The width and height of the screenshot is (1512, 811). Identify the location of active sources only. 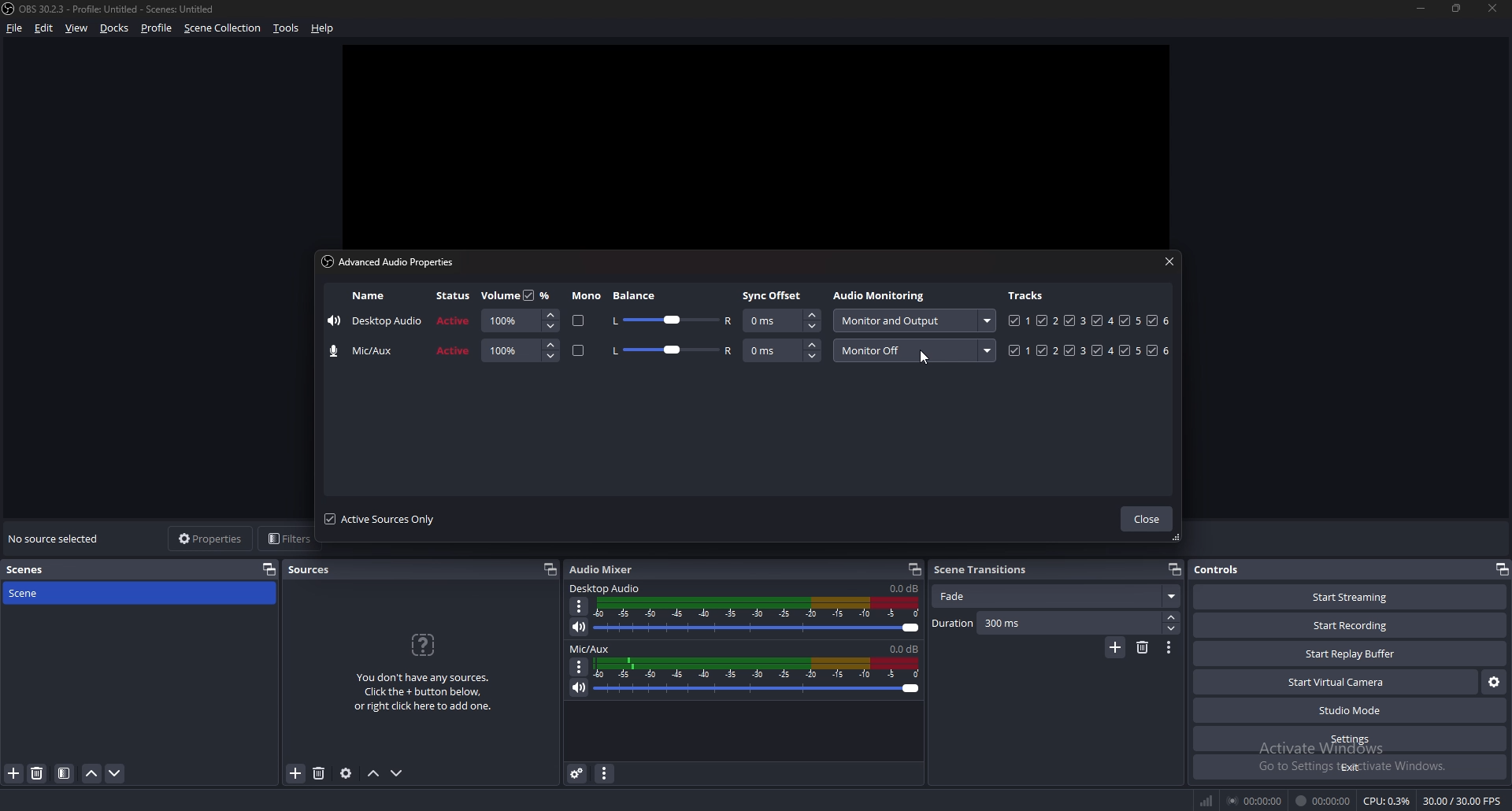
(386, 520).